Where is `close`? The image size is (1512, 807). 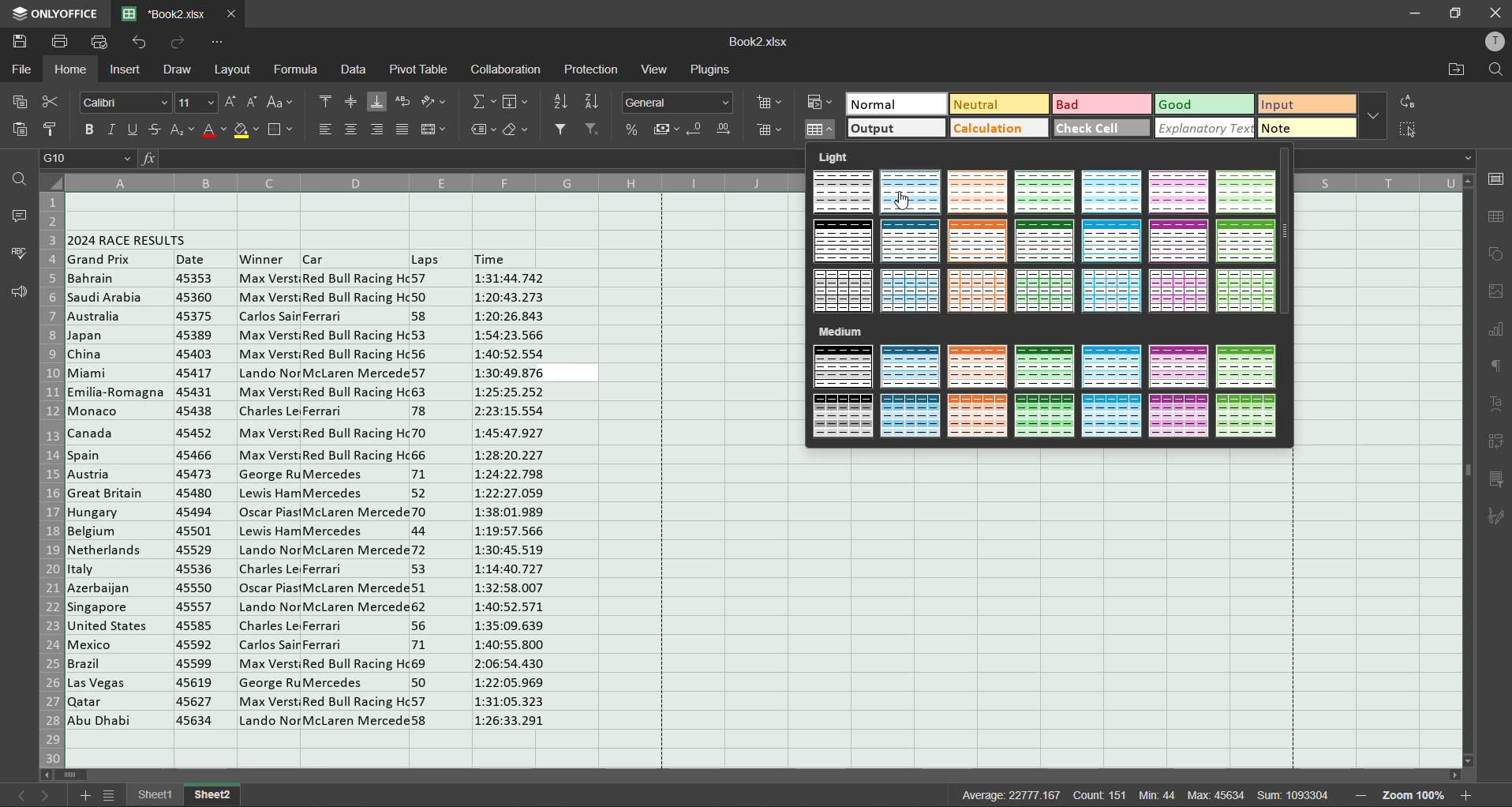 close is located at coordinates (1495, 13).